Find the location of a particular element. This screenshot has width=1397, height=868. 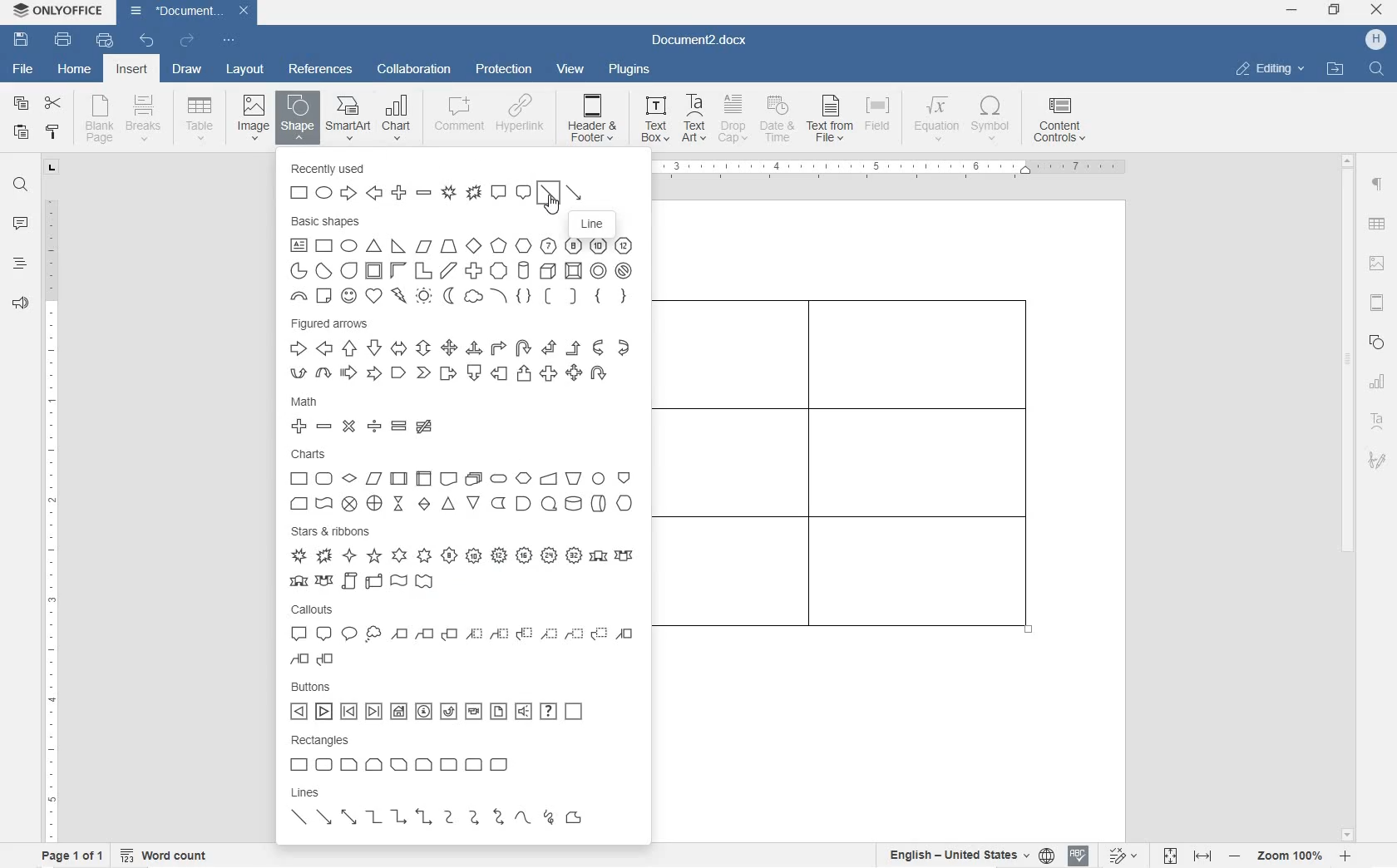

home is located at coordinates (76, 70).